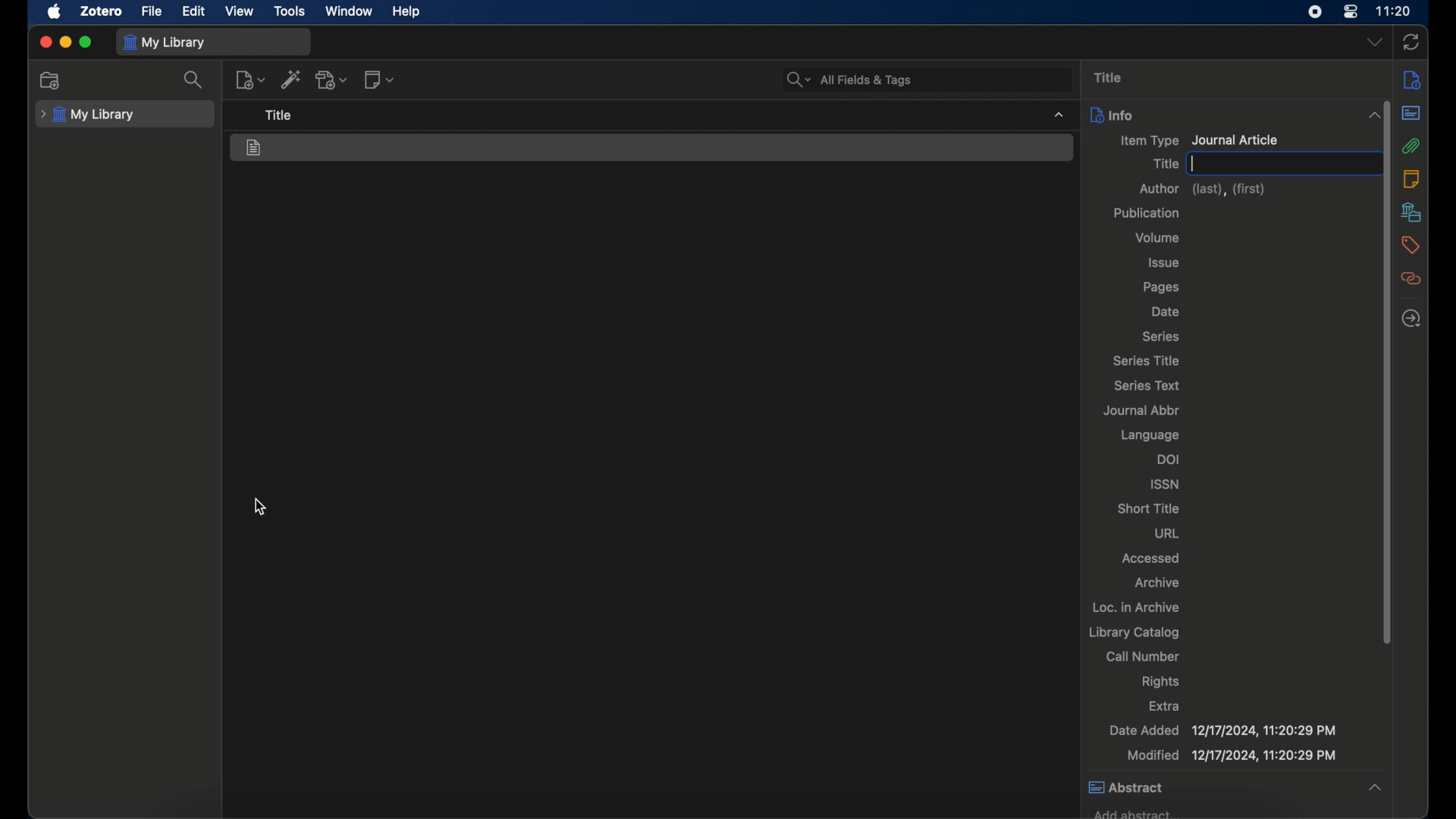 This screenshot has width=1456, height=819. I want to click on language, so click(1150, 435).